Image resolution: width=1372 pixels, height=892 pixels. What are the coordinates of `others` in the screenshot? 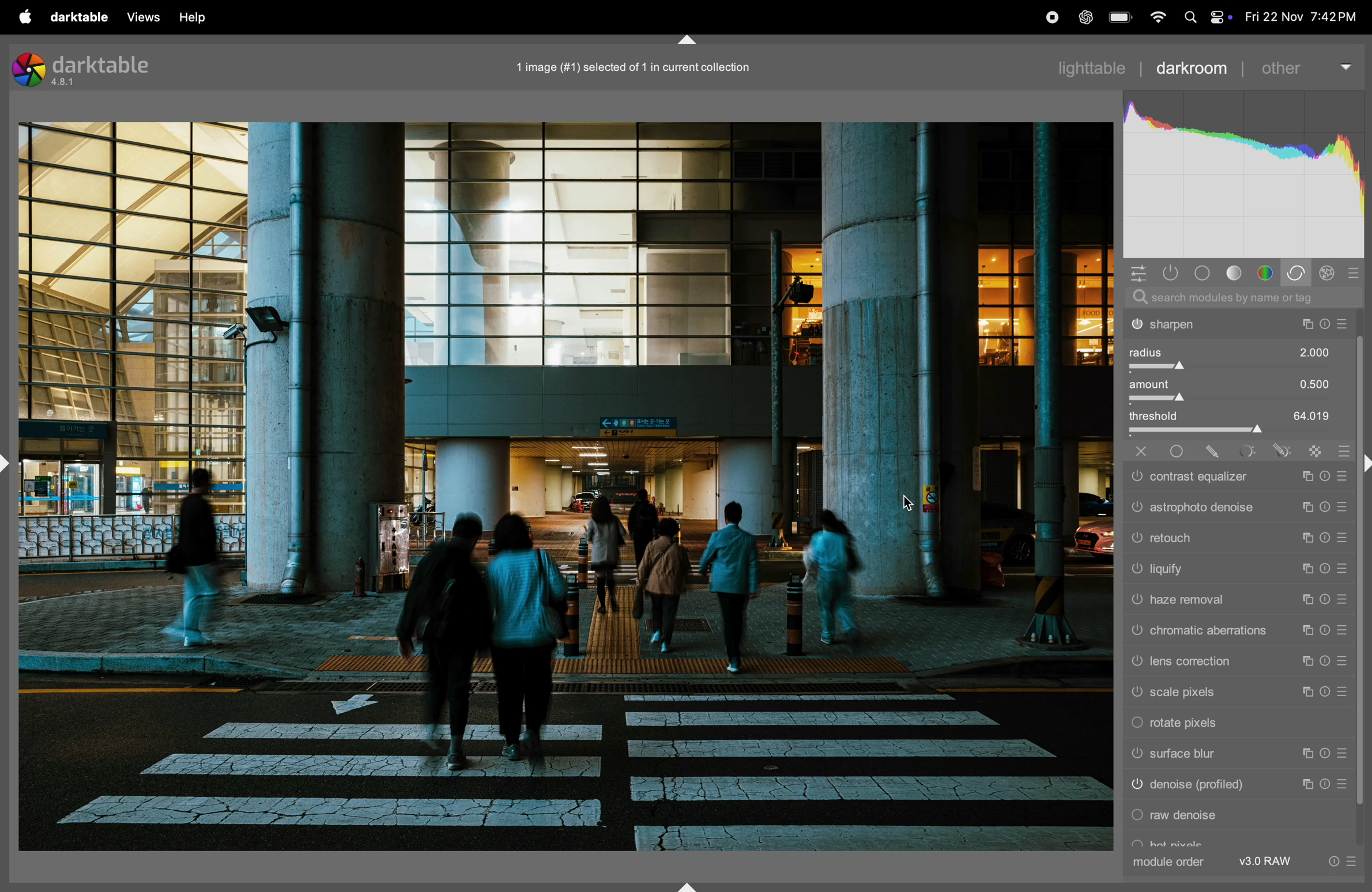 It's located at (1305, 67).